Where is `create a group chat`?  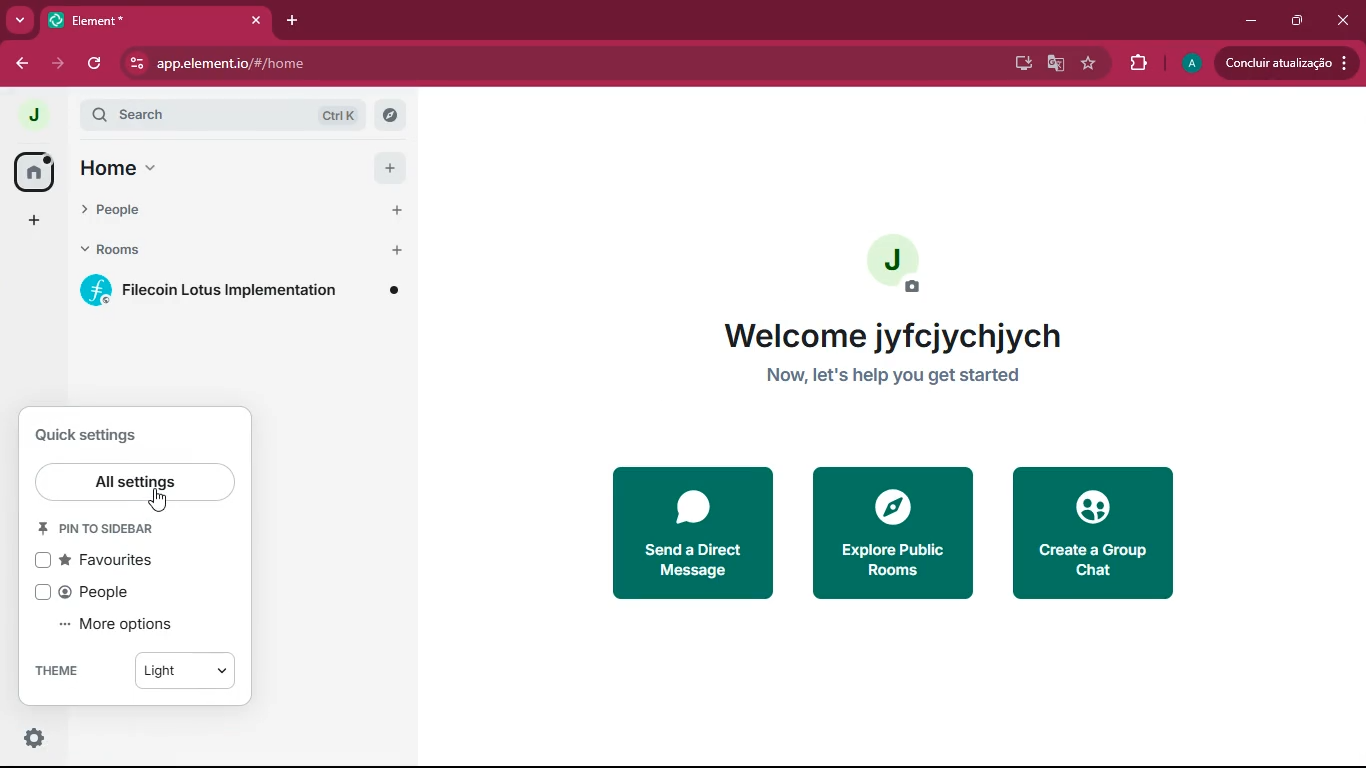 create a group chat is located at coordinates (1088, 533).